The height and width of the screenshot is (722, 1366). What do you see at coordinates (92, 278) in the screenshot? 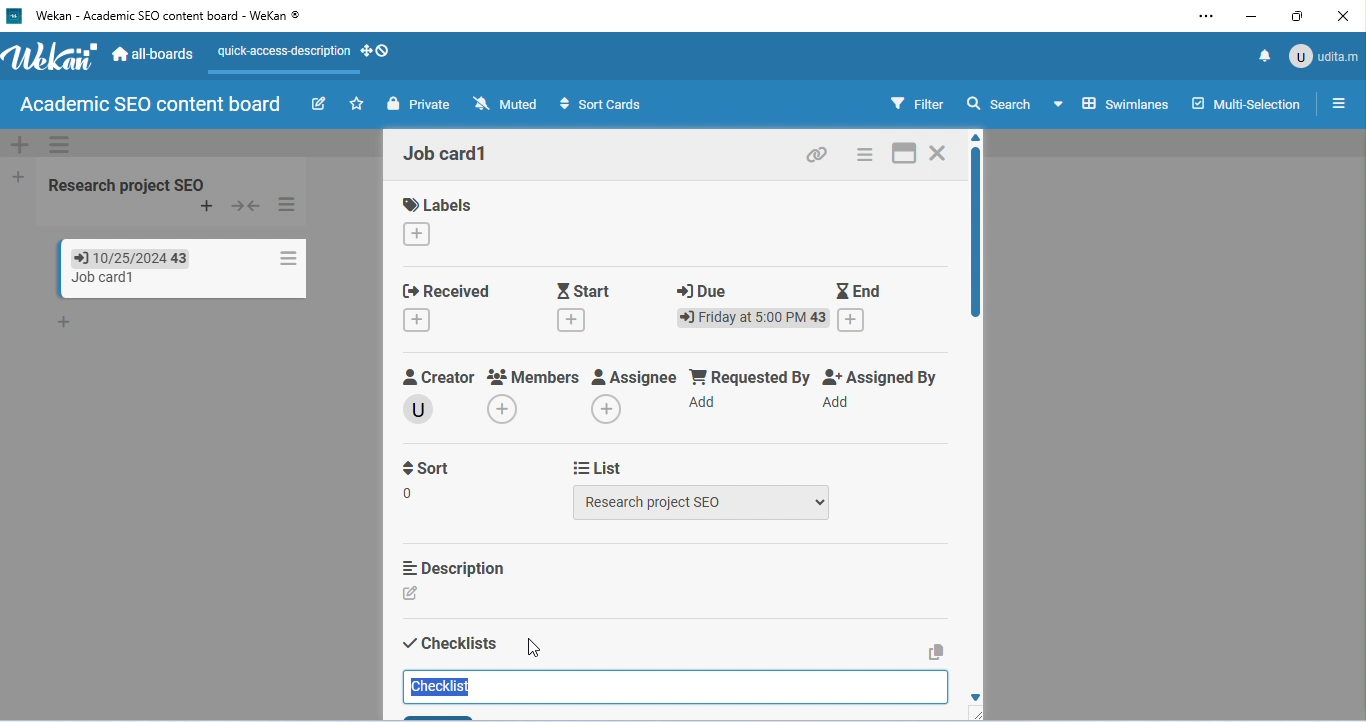
I see `card name: Job card1` at bounding box center [92, 278].